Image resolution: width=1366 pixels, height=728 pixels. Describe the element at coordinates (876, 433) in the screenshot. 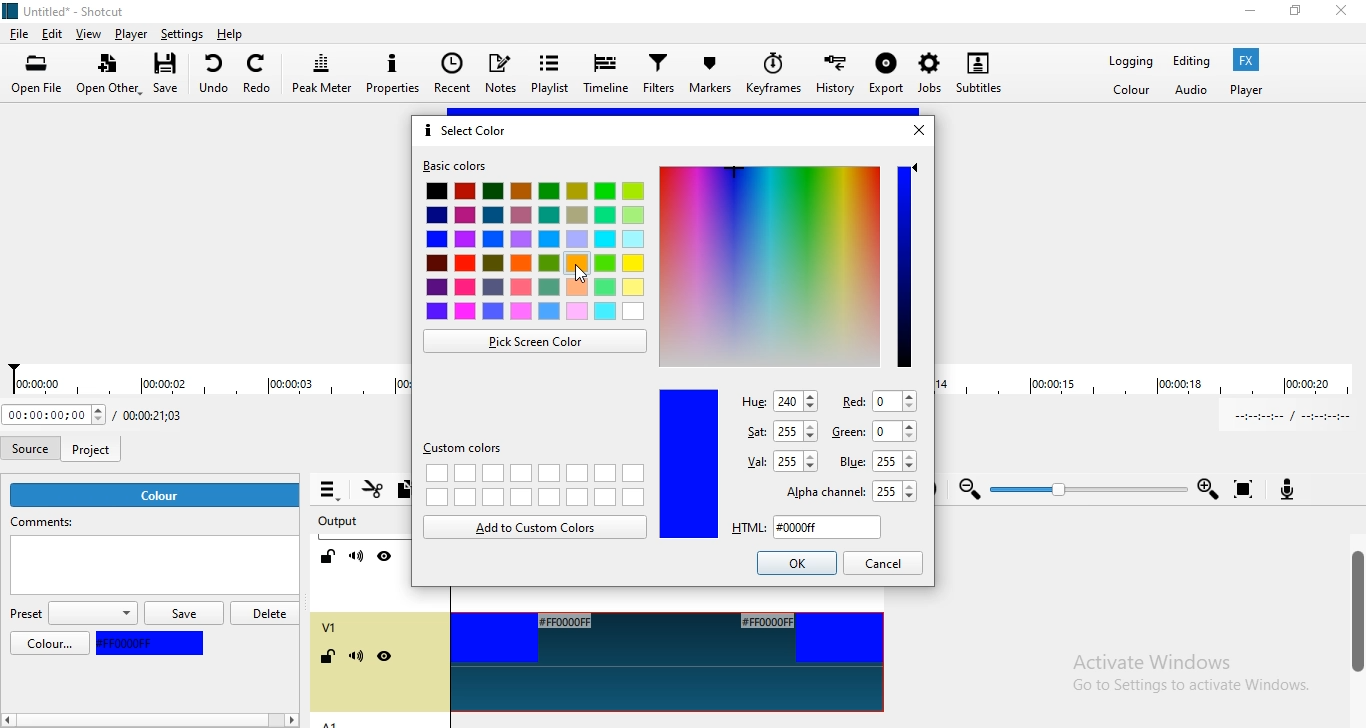

I see `green` at that location.